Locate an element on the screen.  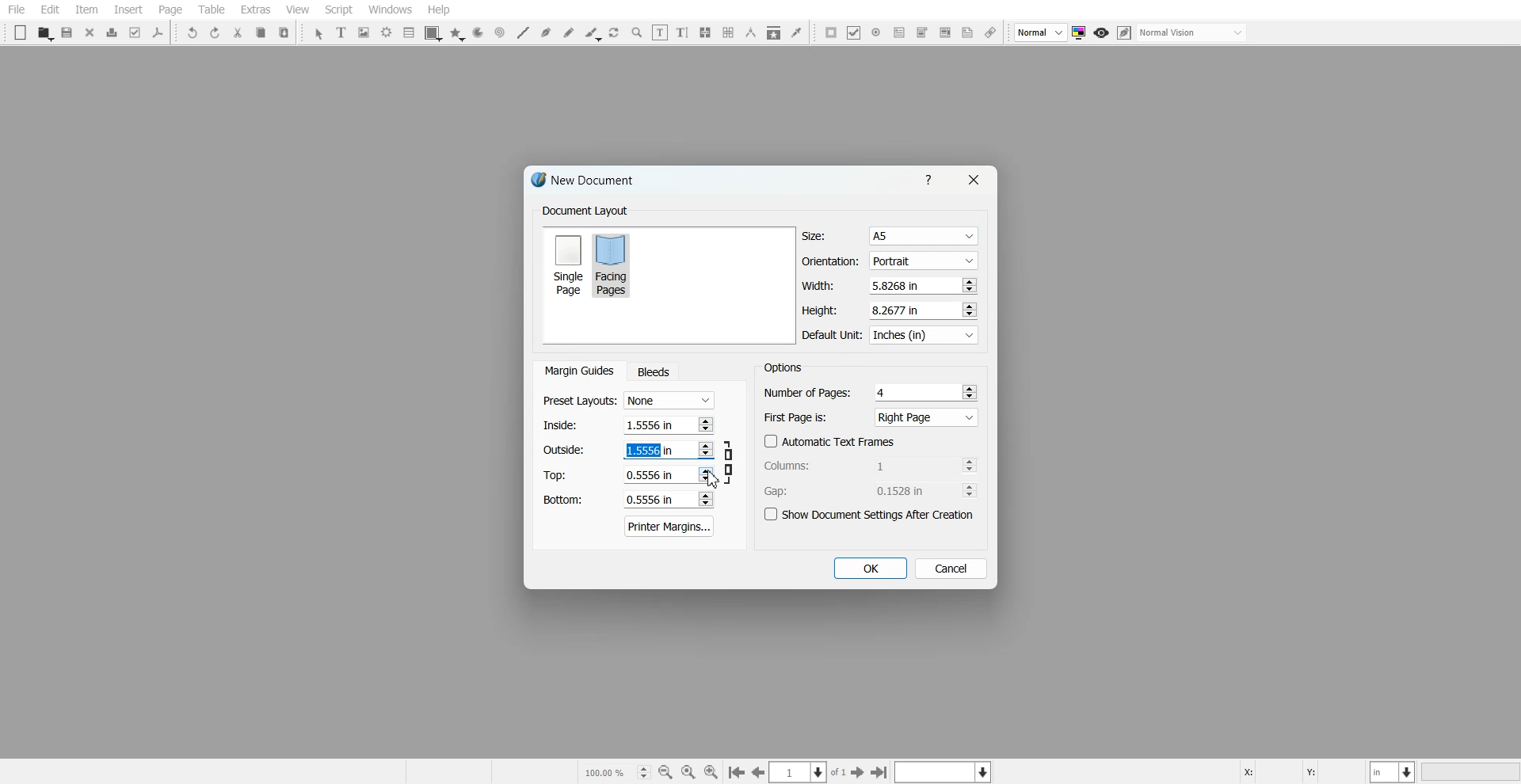
Portrait is located at coordinates (922, 260).